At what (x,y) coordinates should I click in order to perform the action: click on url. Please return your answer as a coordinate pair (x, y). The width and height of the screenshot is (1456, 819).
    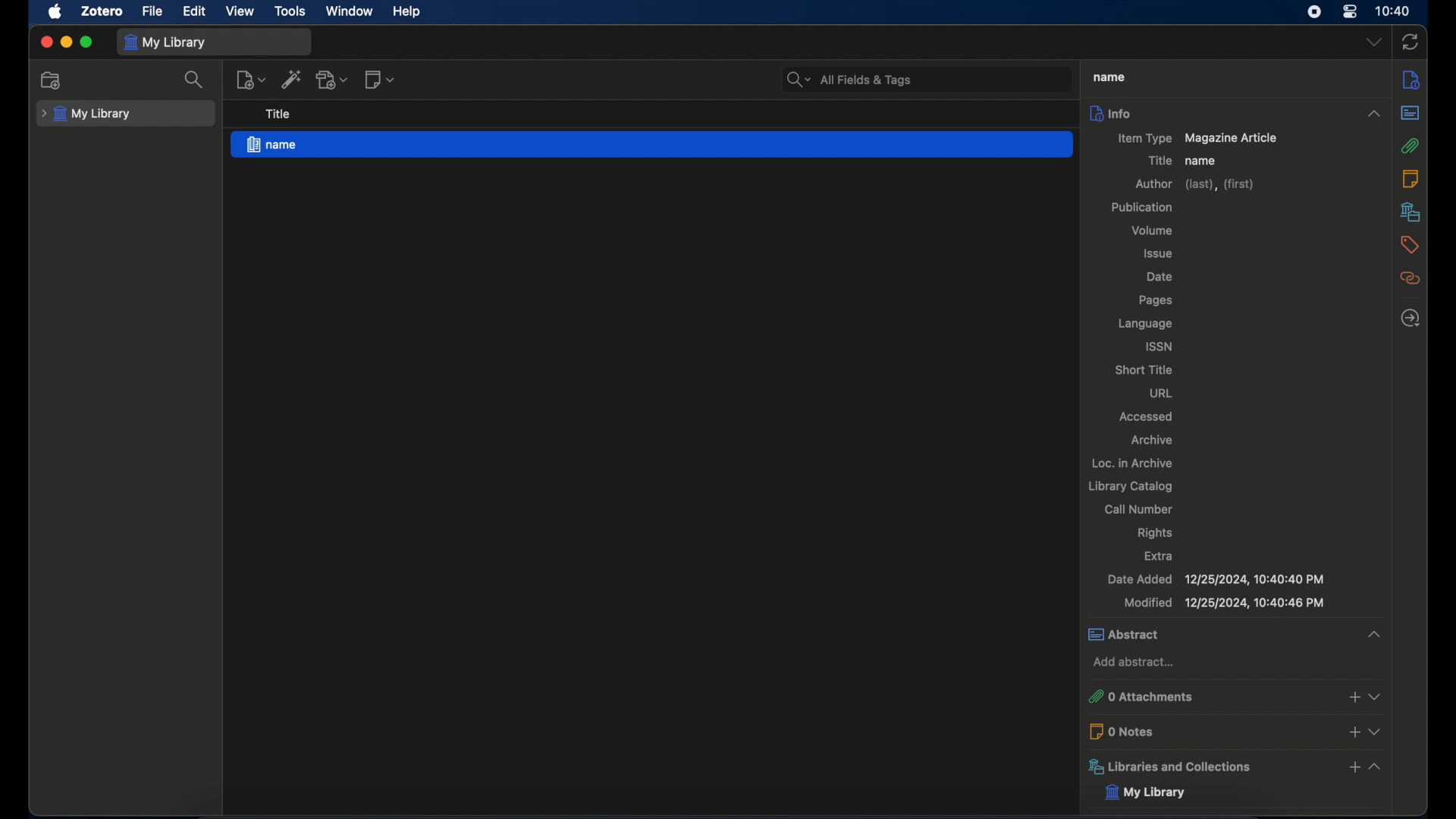
    Looking at the image, I should click on (1161, 394).